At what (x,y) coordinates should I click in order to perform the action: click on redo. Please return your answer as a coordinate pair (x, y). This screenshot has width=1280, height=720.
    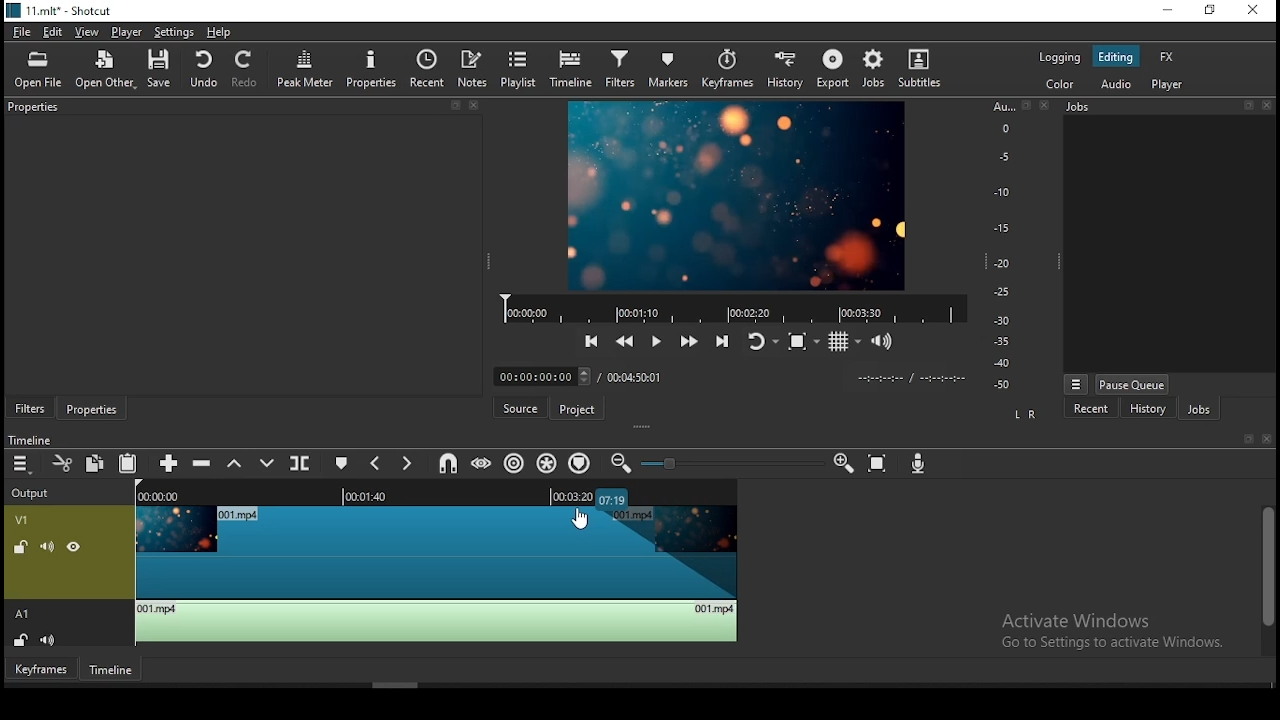
    Looking at the image, I should click on (246, 70).